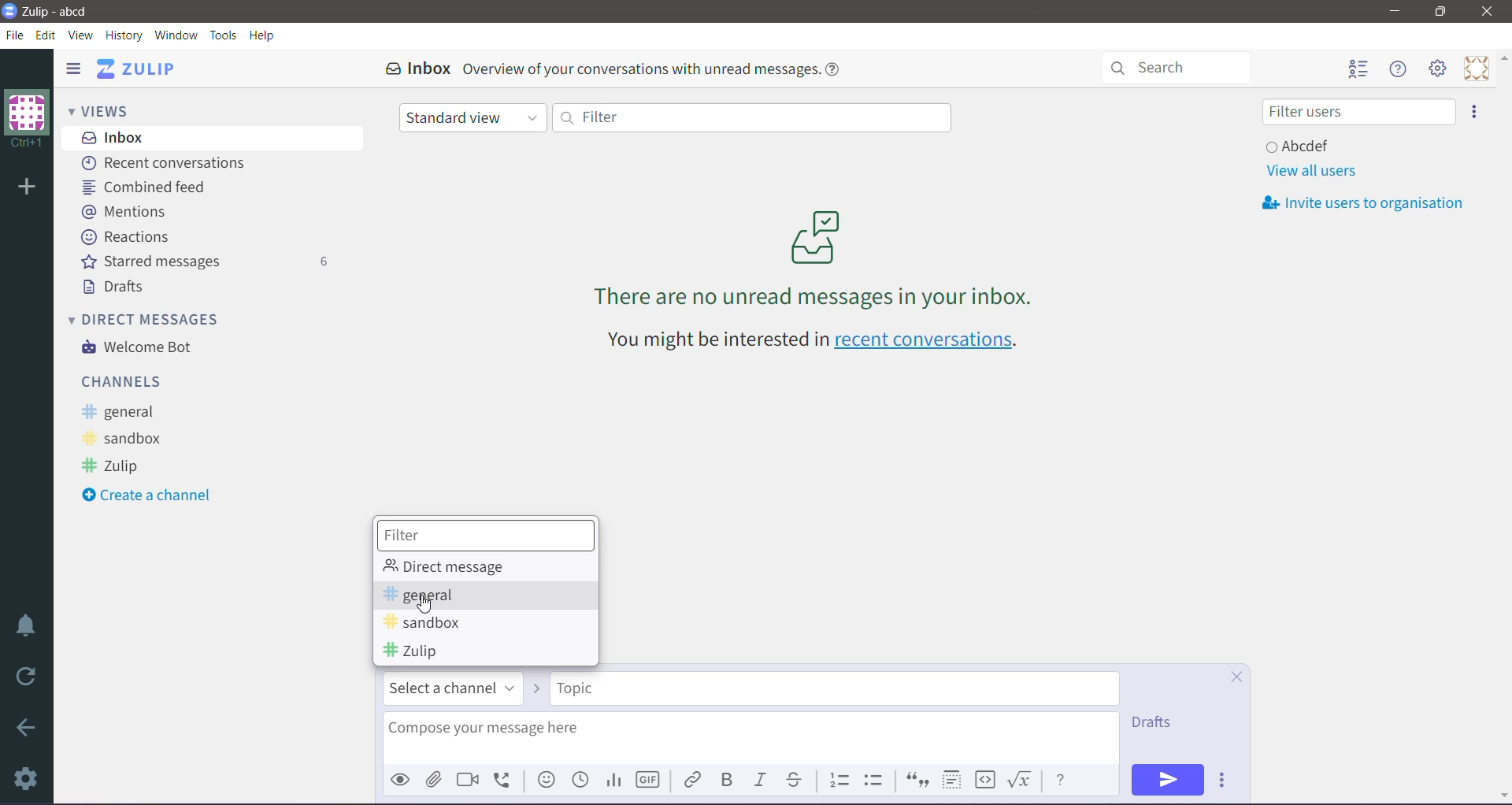 The width and height of the screenshot is (1512, 805). What do you see at coordinates (65, 11) in the screenshot?
I see `Application Name - Organization Name` at bounding box center [65, 11].